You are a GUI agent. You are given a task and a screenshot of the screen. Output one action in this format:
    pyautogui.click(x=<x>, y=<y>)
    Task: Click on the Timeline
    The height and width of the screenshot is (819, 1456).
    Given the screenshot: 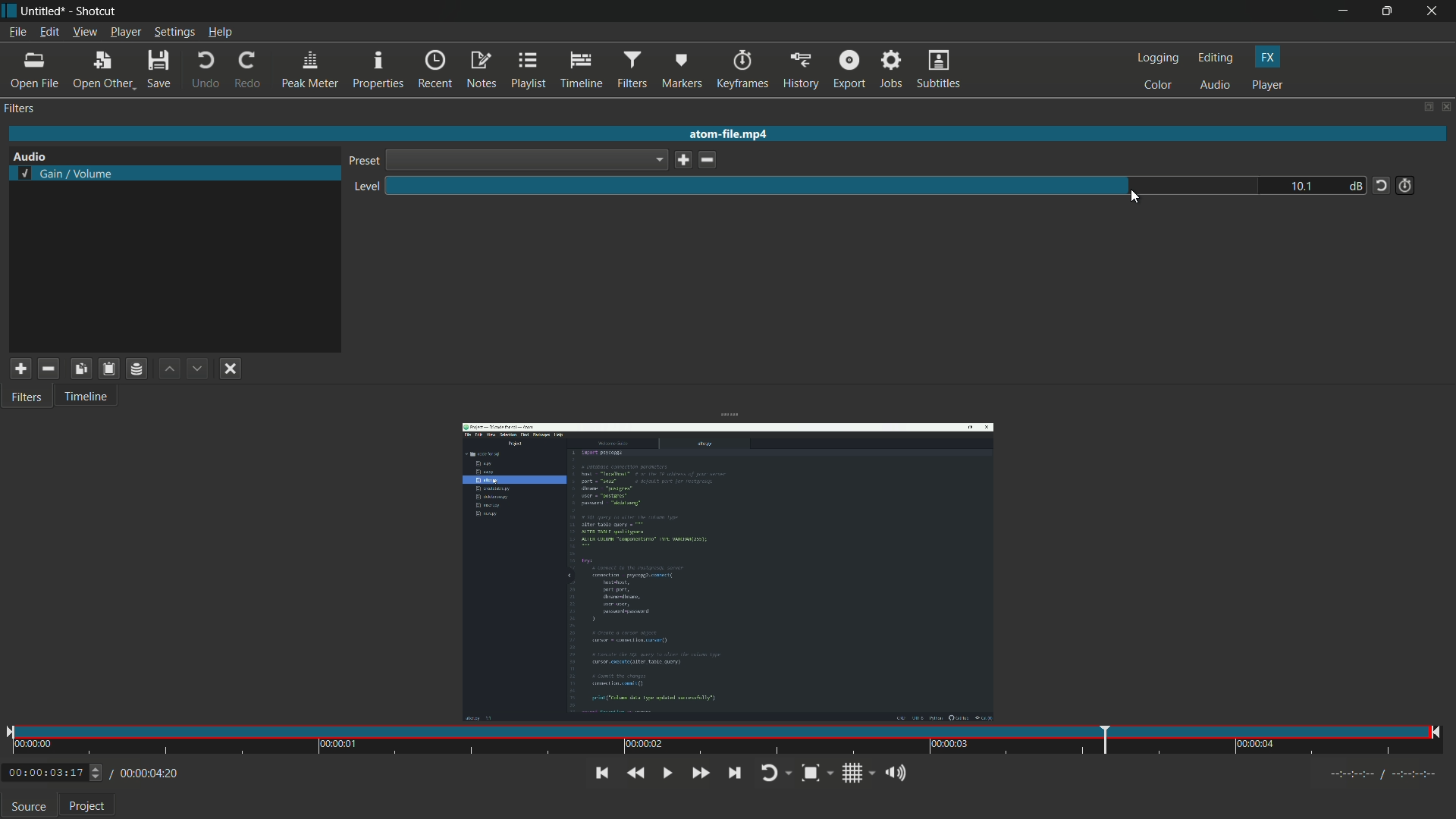 What is the action you would take?
    pyautogui.click(x=93, y=399)
    